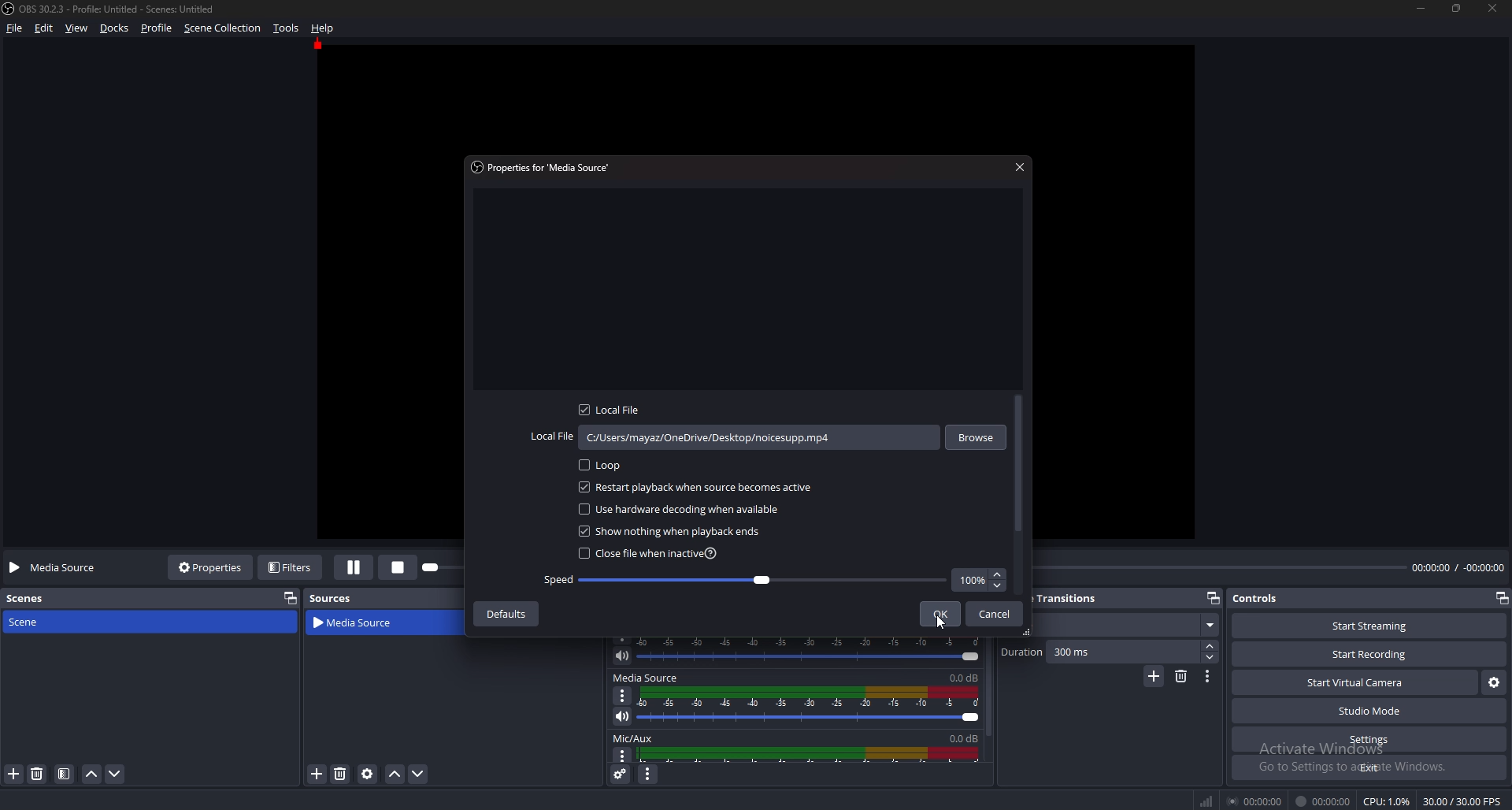 The height and width of the screenshot is (810, 1512). Describe the element at coordinates (1370, 711) in the screenshot. I see `Studio mode` at that location.